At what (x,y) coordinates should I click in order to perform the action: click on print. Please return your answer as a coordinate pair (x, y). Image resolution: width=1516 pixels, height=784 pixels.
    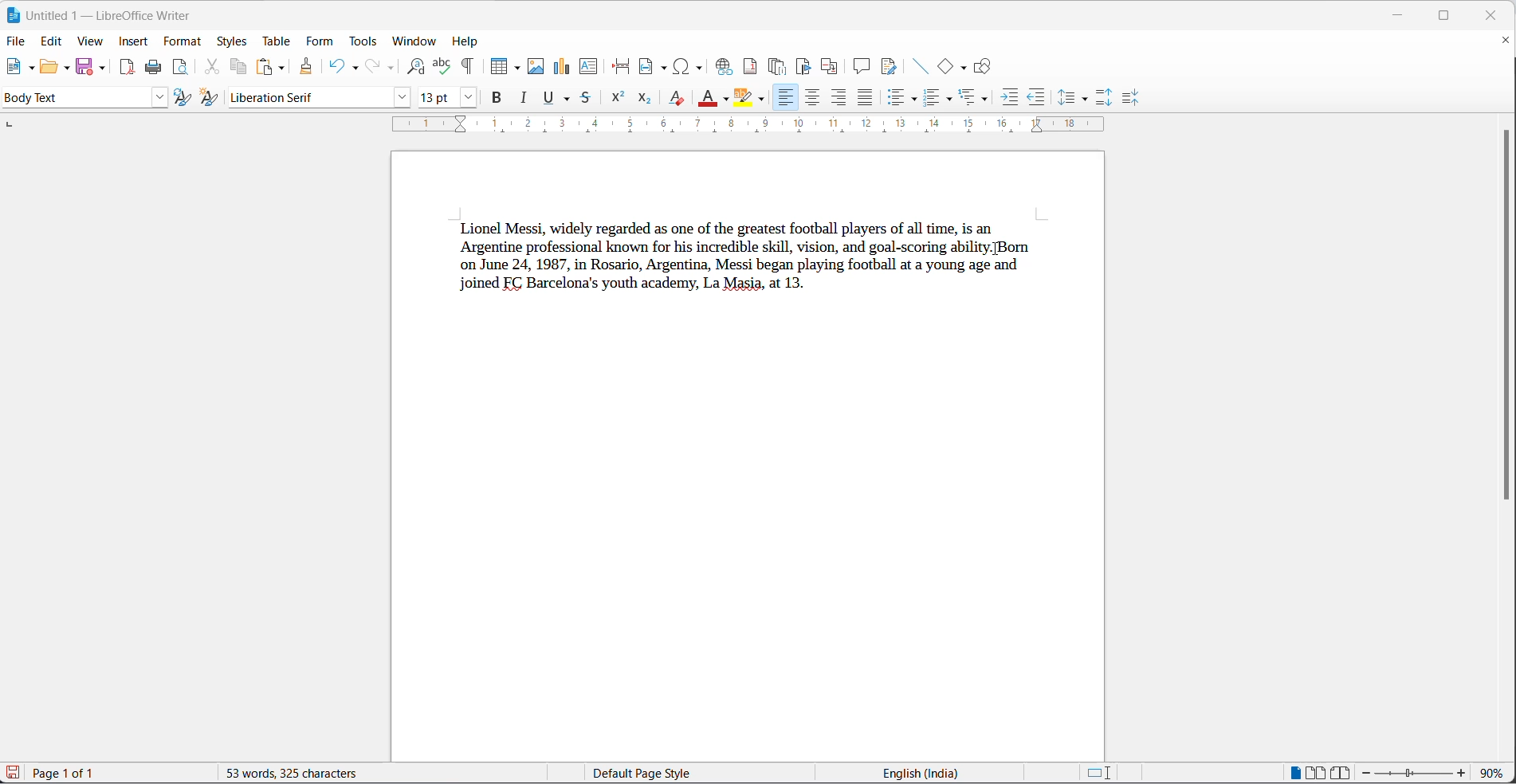
    Looking at the image, I should click on (153, 67).